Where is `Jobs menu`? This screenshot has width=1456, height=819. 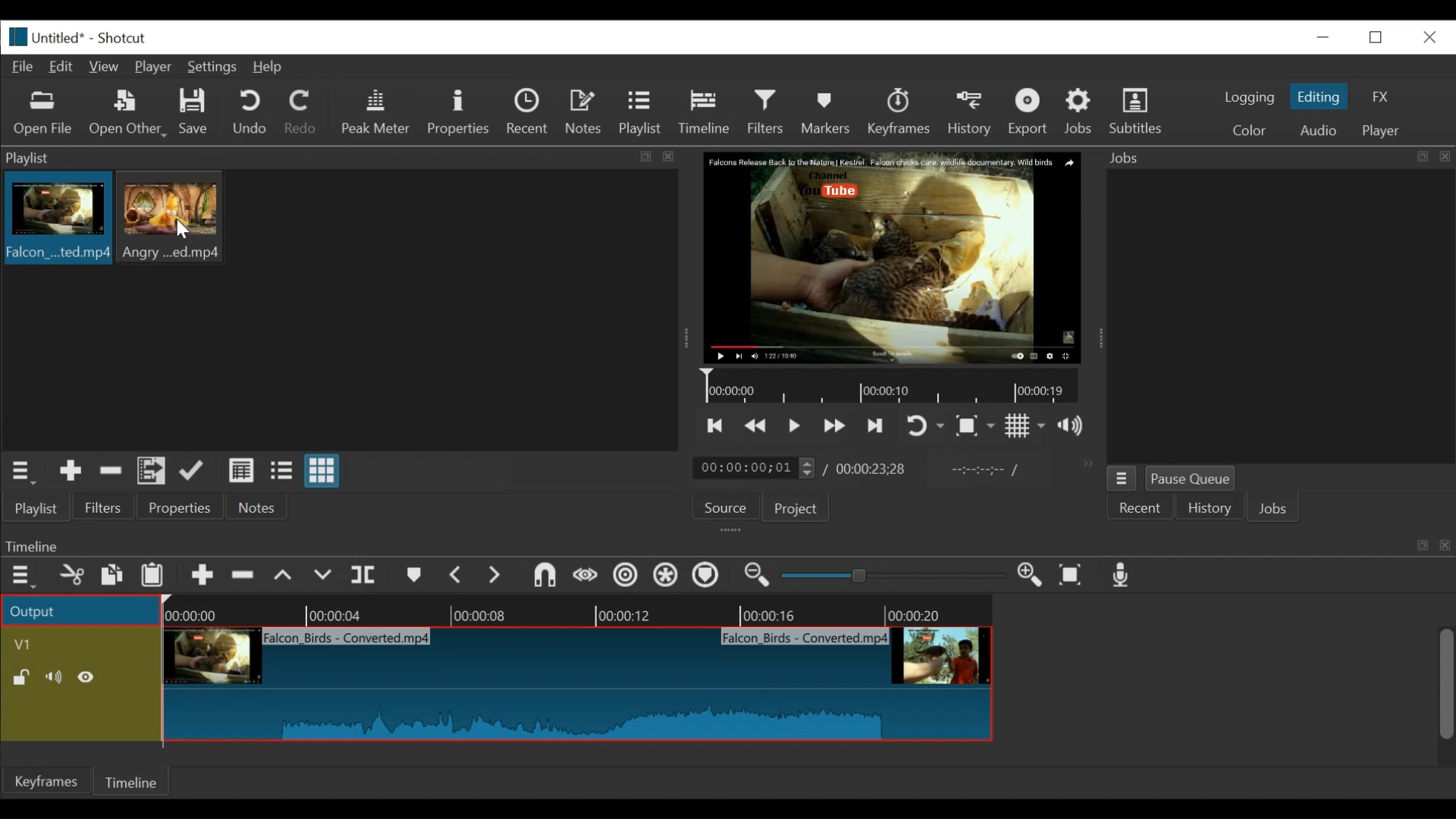 Jobs menu is located at coordinates (1269, 156).